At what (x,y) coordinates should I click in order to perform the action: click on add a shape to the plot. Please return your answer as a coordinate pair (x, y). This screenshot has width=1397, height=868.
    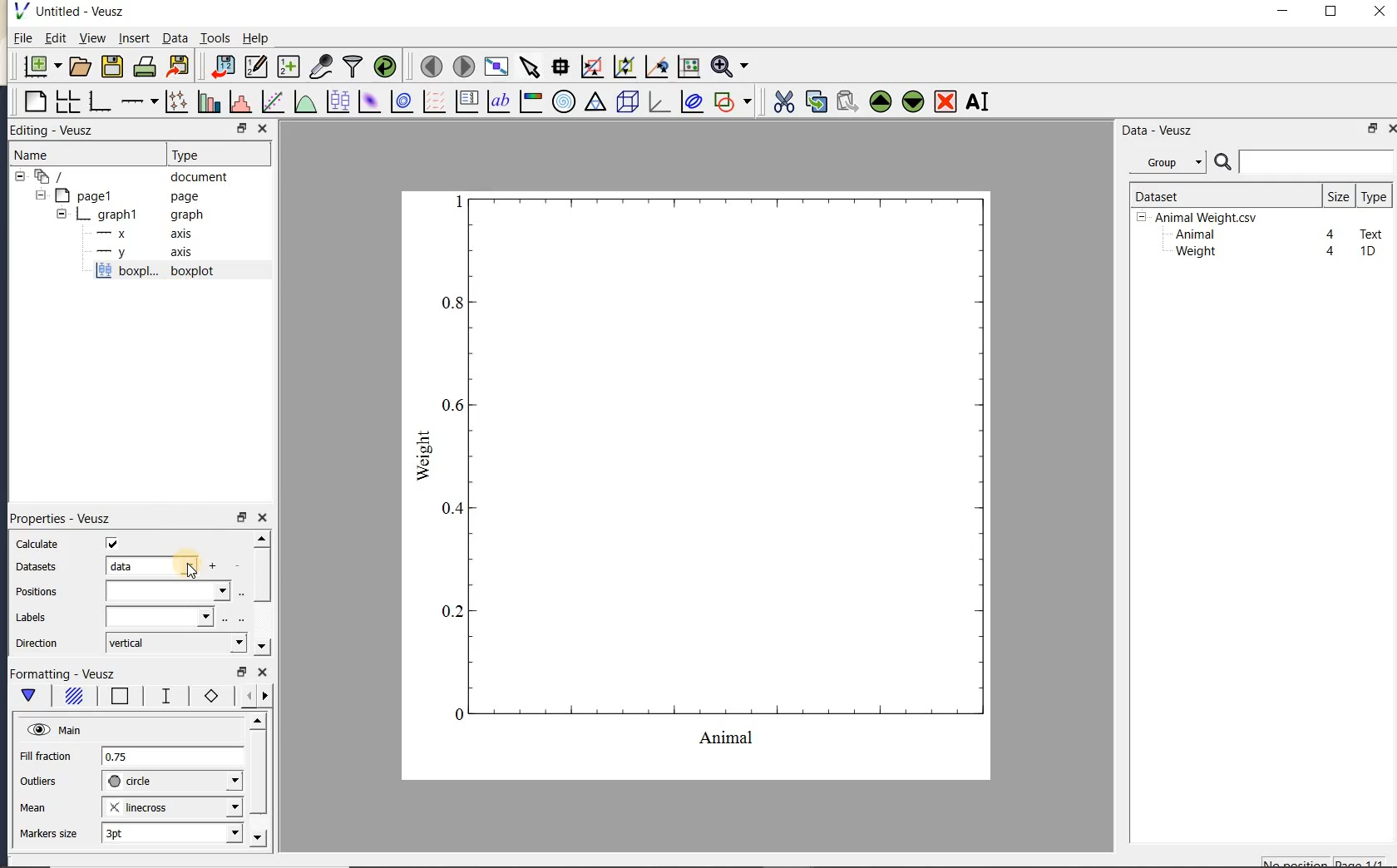
    Looking at the image, I should click on (732, 101).